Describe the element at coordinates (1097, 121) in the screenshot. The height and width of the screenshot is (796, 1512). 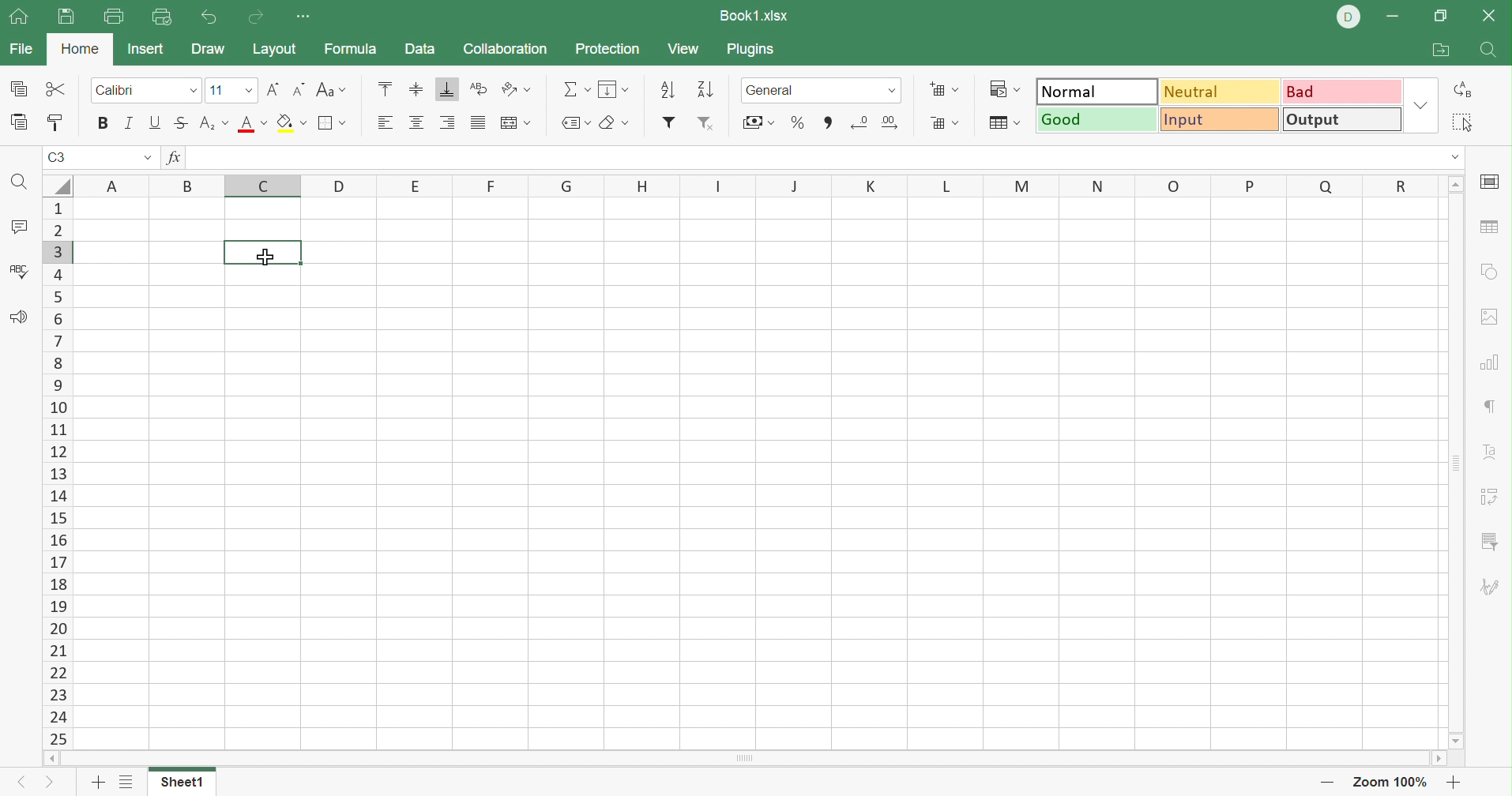
I see `Good` at that location.